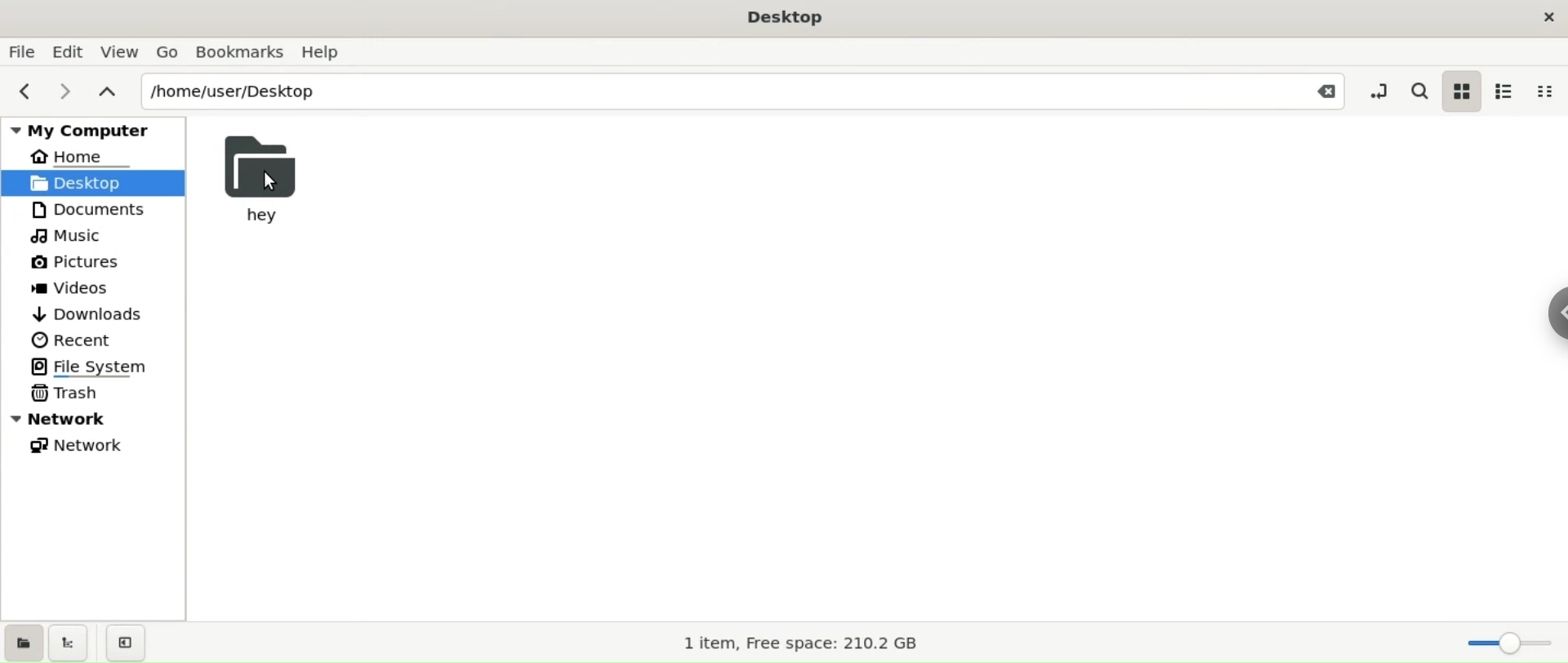 Image resolution: width=1568 pixels, height=663 pixels. I want to click on list view, so click(1504, 89).